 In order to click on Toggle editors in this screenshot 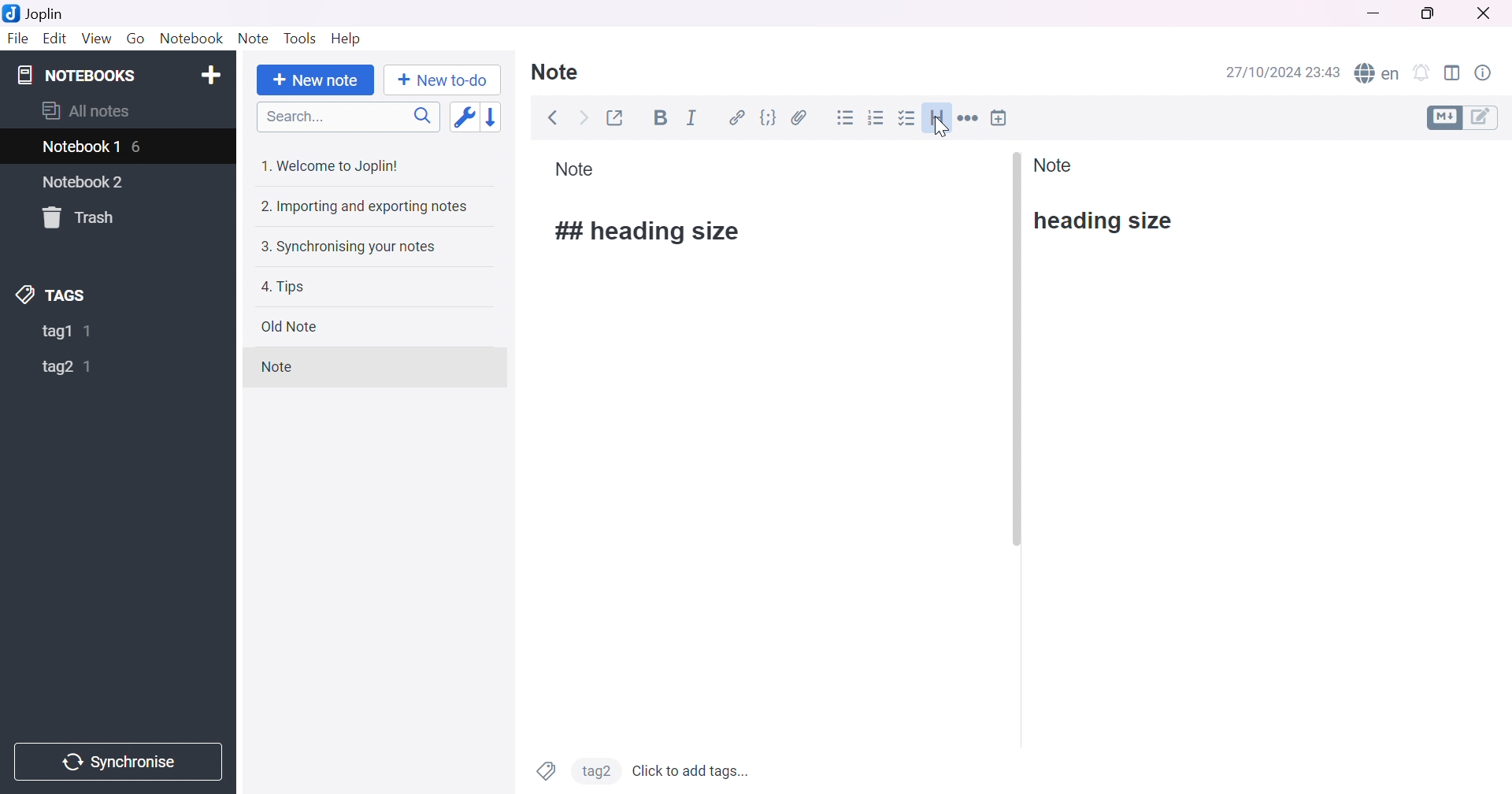, I will do `click(1462, 117)`.